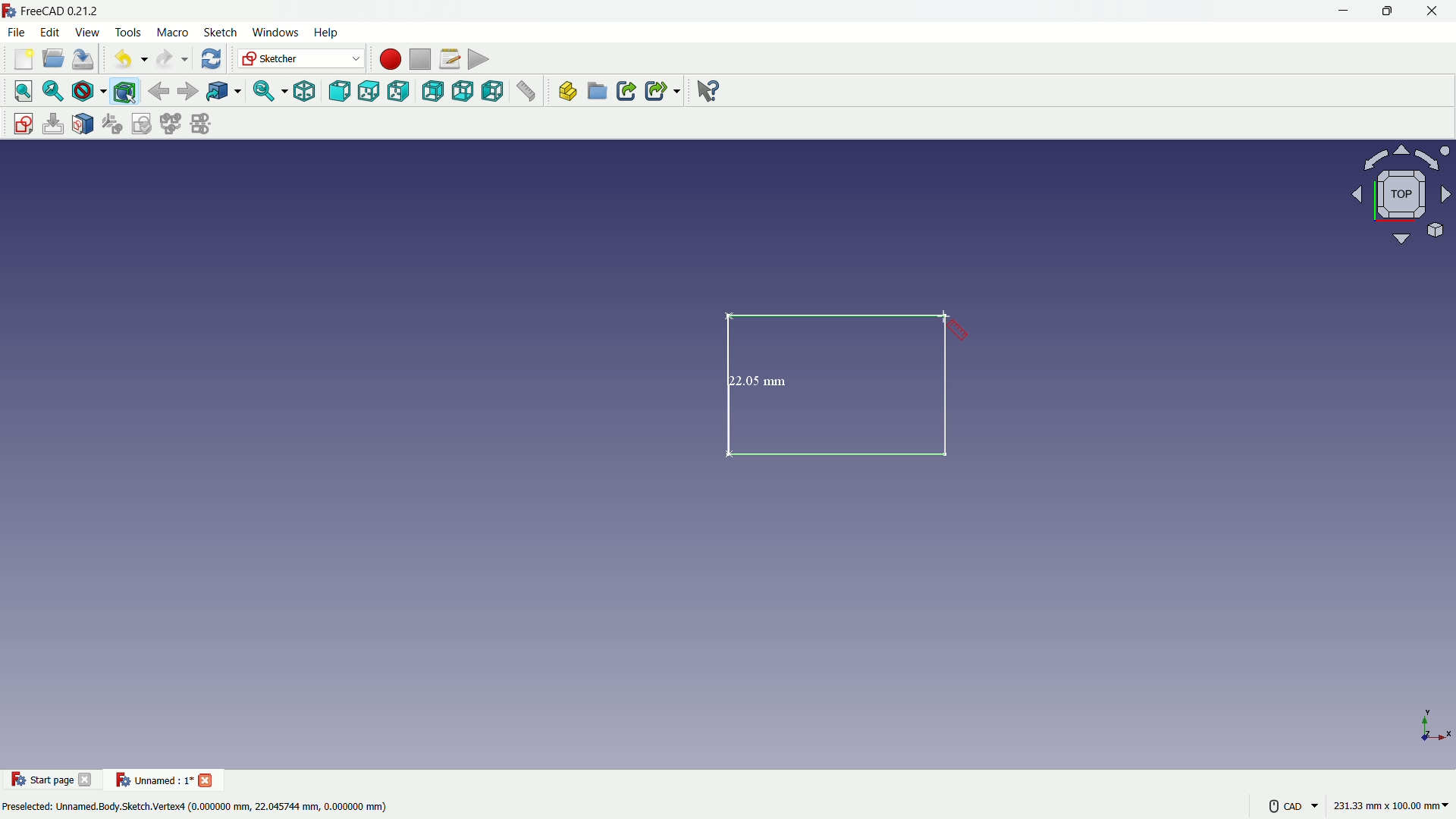 This screenshot has width=1456, height=819. Describe the element at coordinates (187, 91) in the screenshot. I see `forward` at that location.